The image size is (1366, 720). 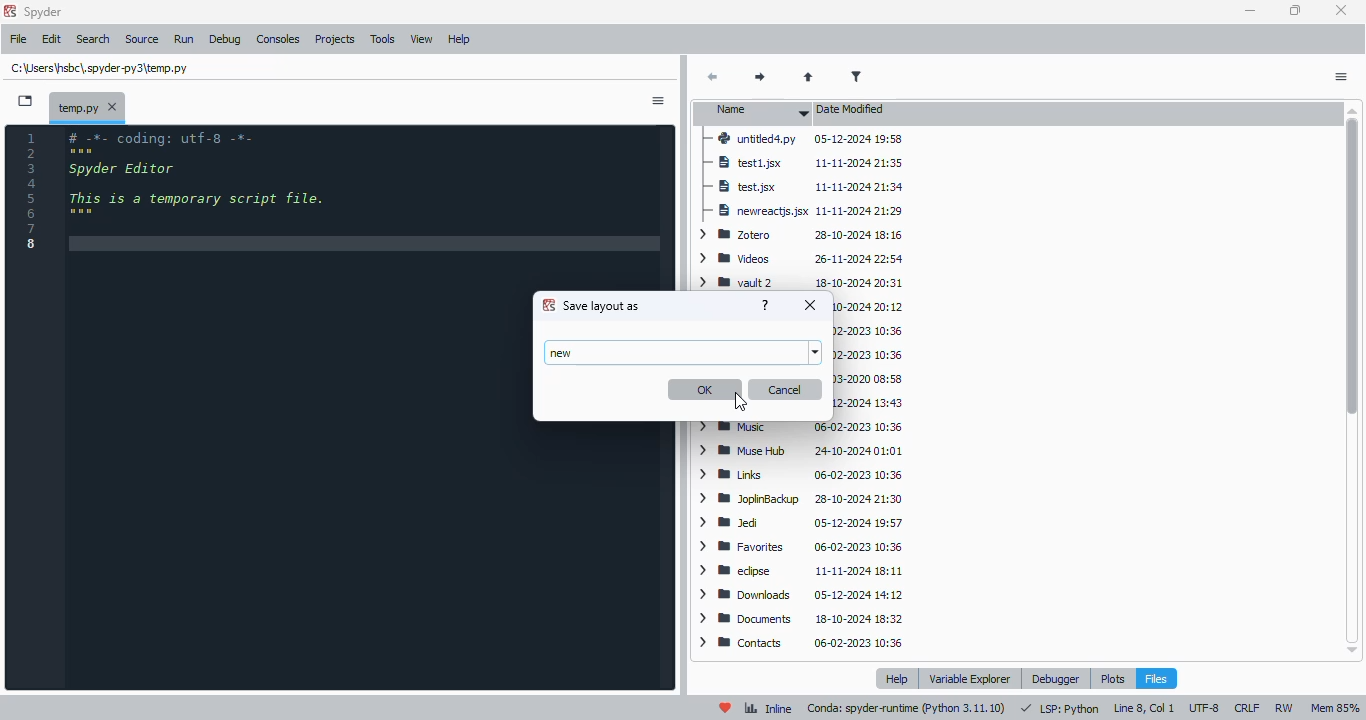 What do you see at coordinates (868, 403) in the screenshot?
I see `OneDrive` at bounding box center [868, 403].